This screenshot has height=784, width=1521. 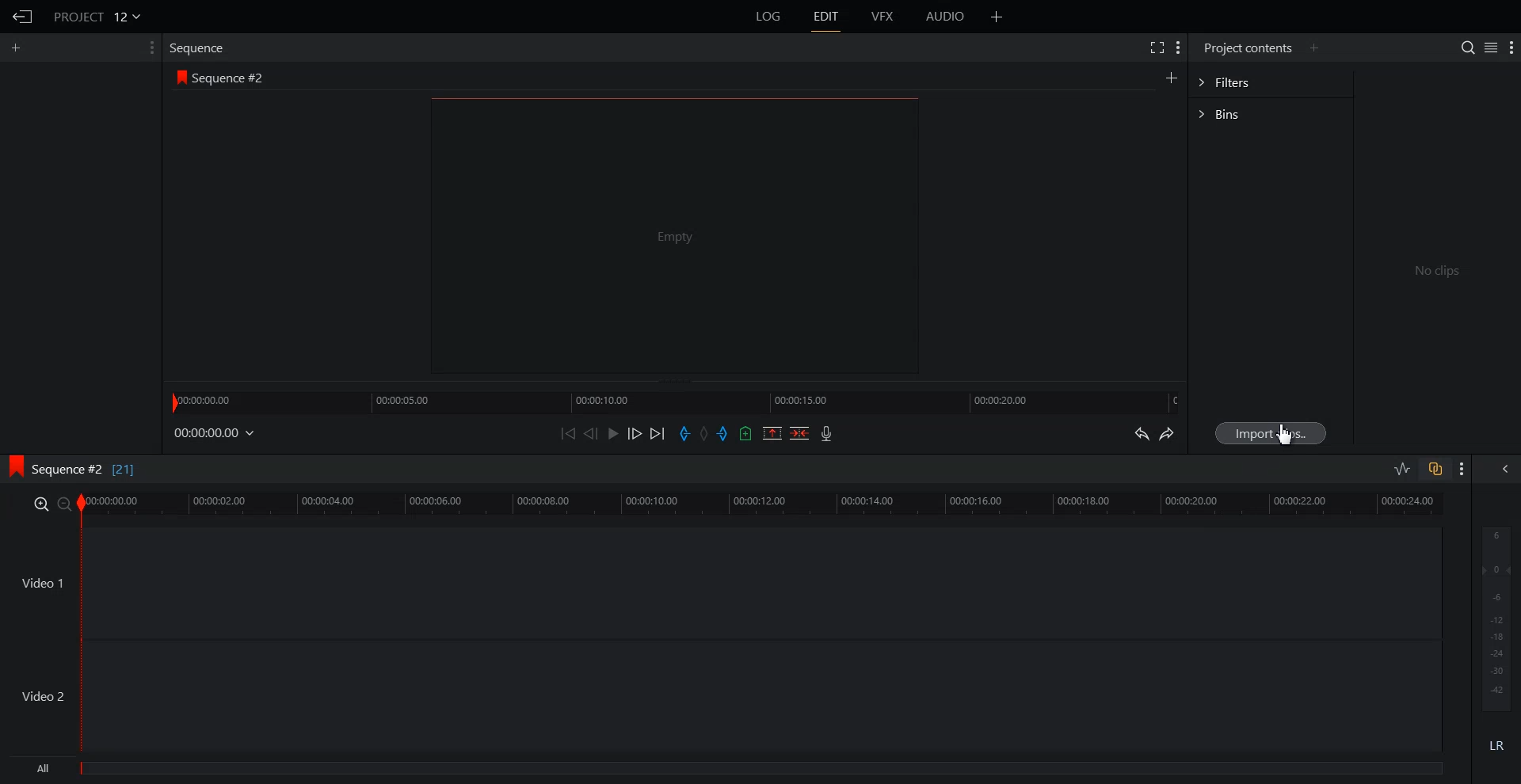 I want to click on Project 12v, so click(x=97, y=16).